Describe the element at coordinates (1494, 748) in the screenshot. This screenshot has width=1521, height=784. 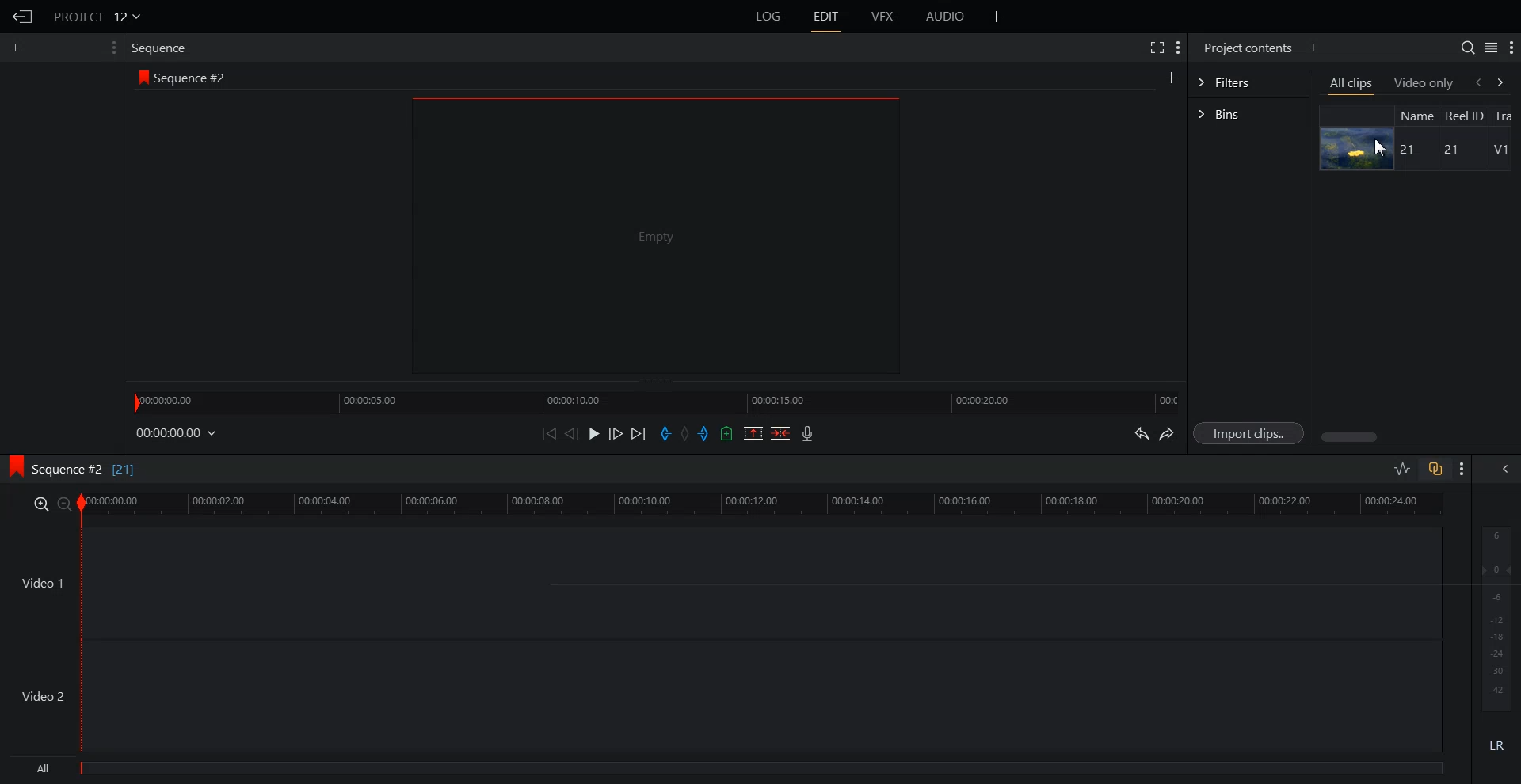
I see `LR` at that location.